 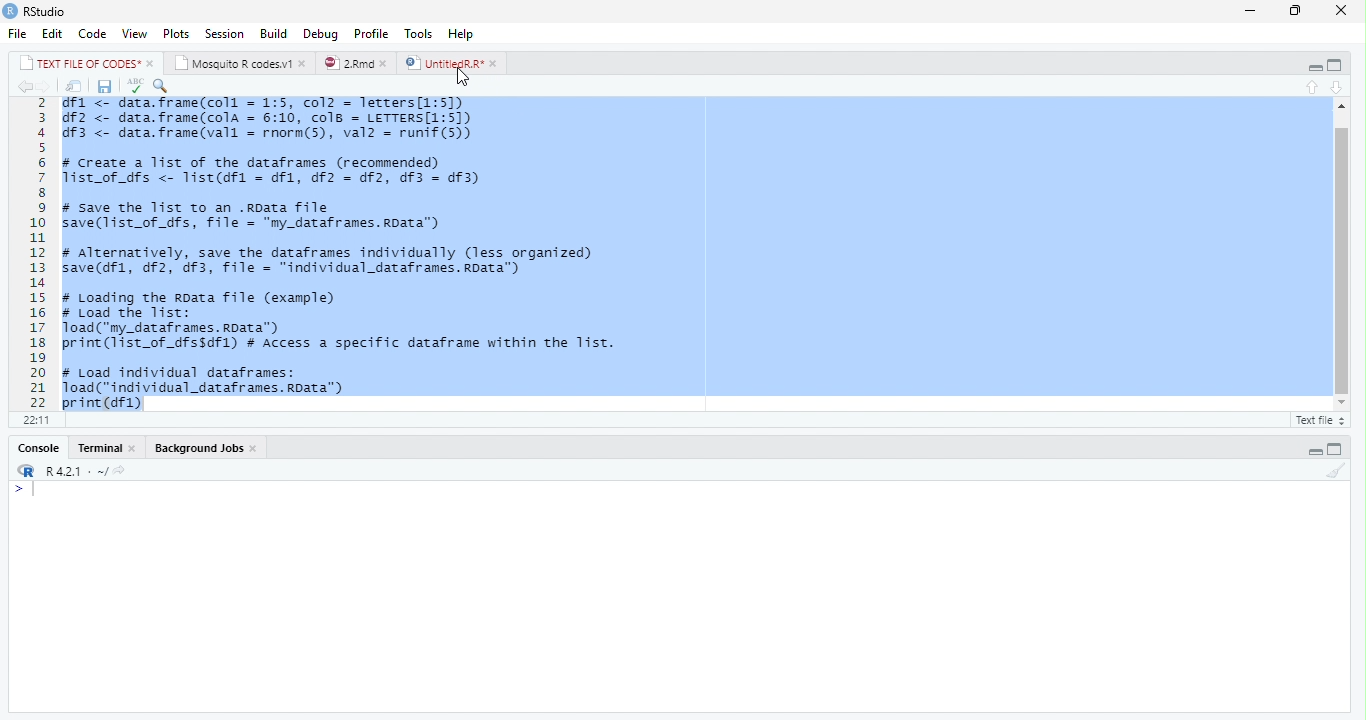 What do you see at coordinates (37, 448) in the screenshot?
I see `Console` at bounding box center [37, 448].